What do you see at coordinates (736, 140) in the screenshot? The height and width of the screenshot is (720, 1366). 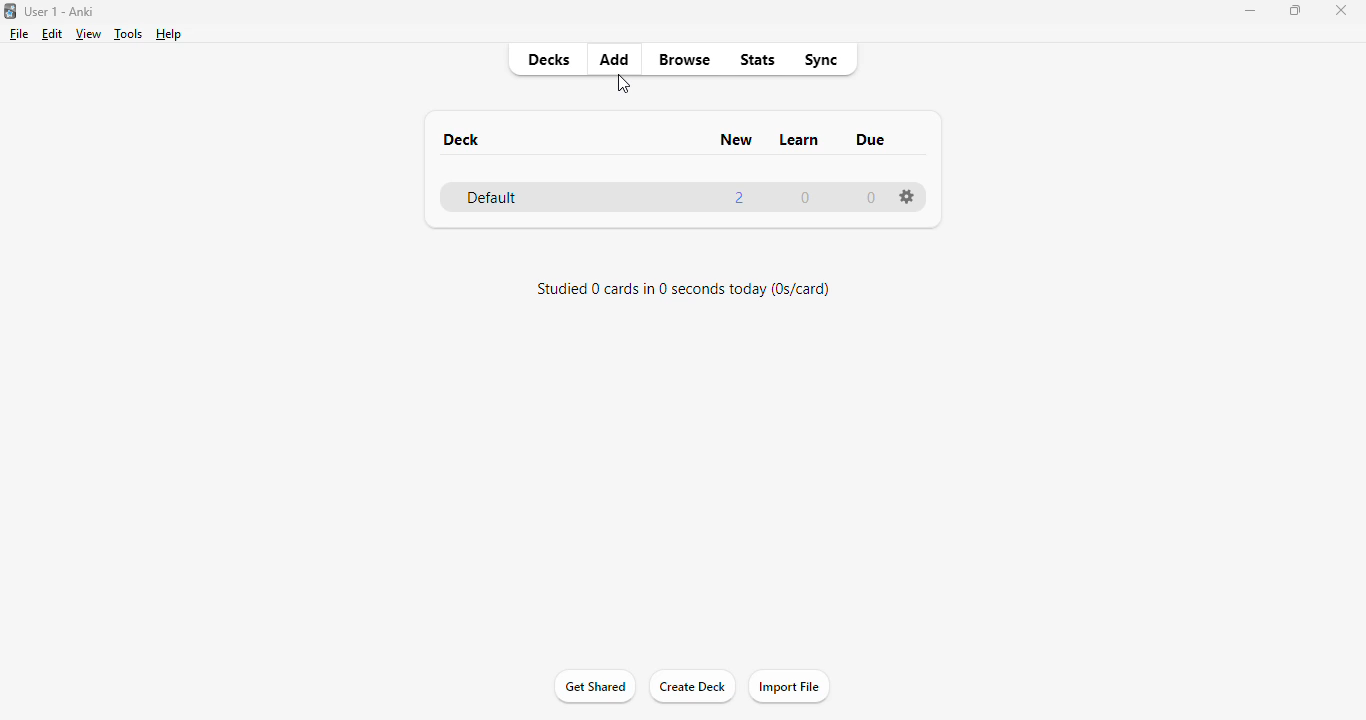 I see `new` at bounding box center [736, 140].